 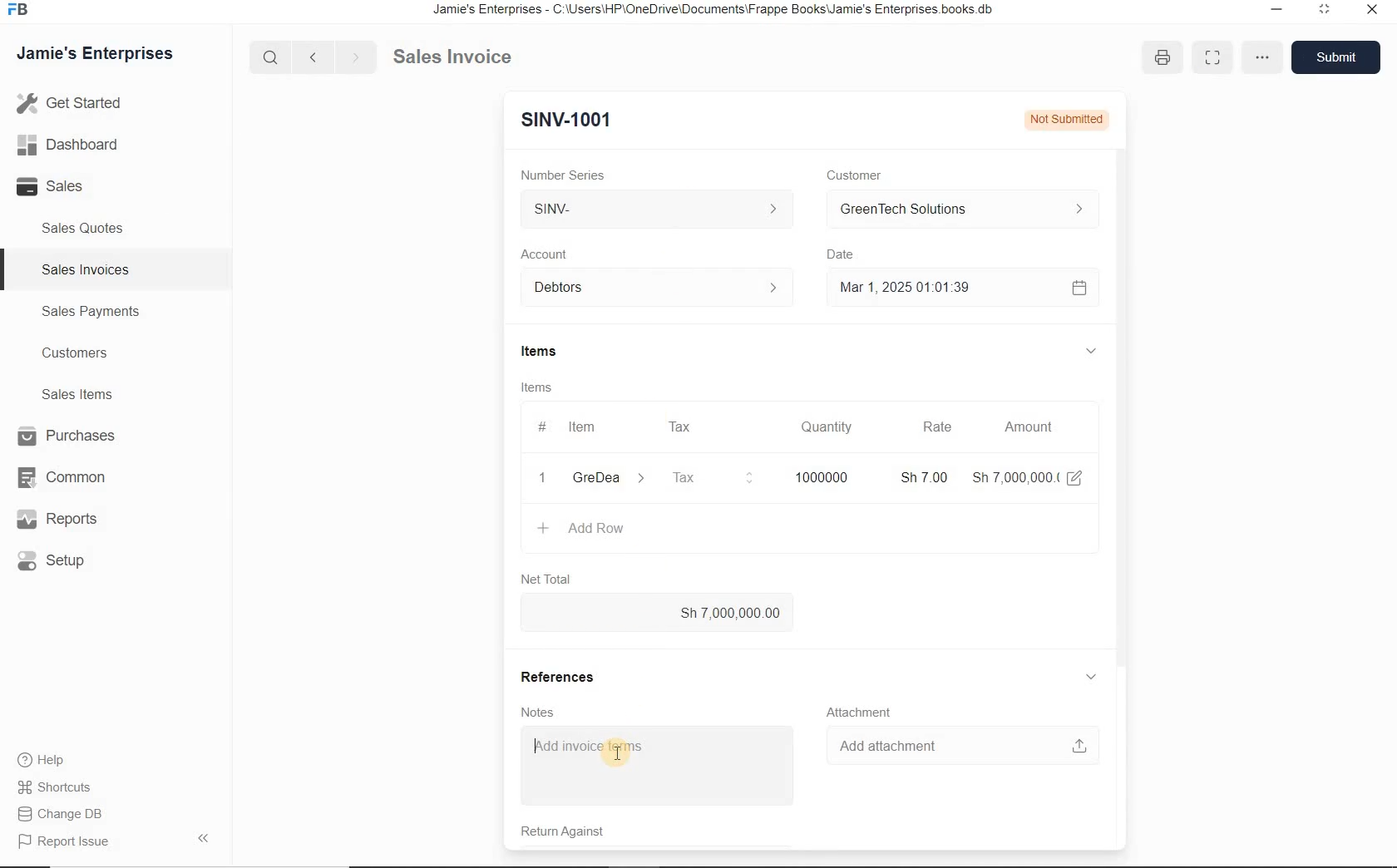 What do you see at coordinates (17, 11) in the screenshot?
I see `frappe books` at bounding box center [17, 11].